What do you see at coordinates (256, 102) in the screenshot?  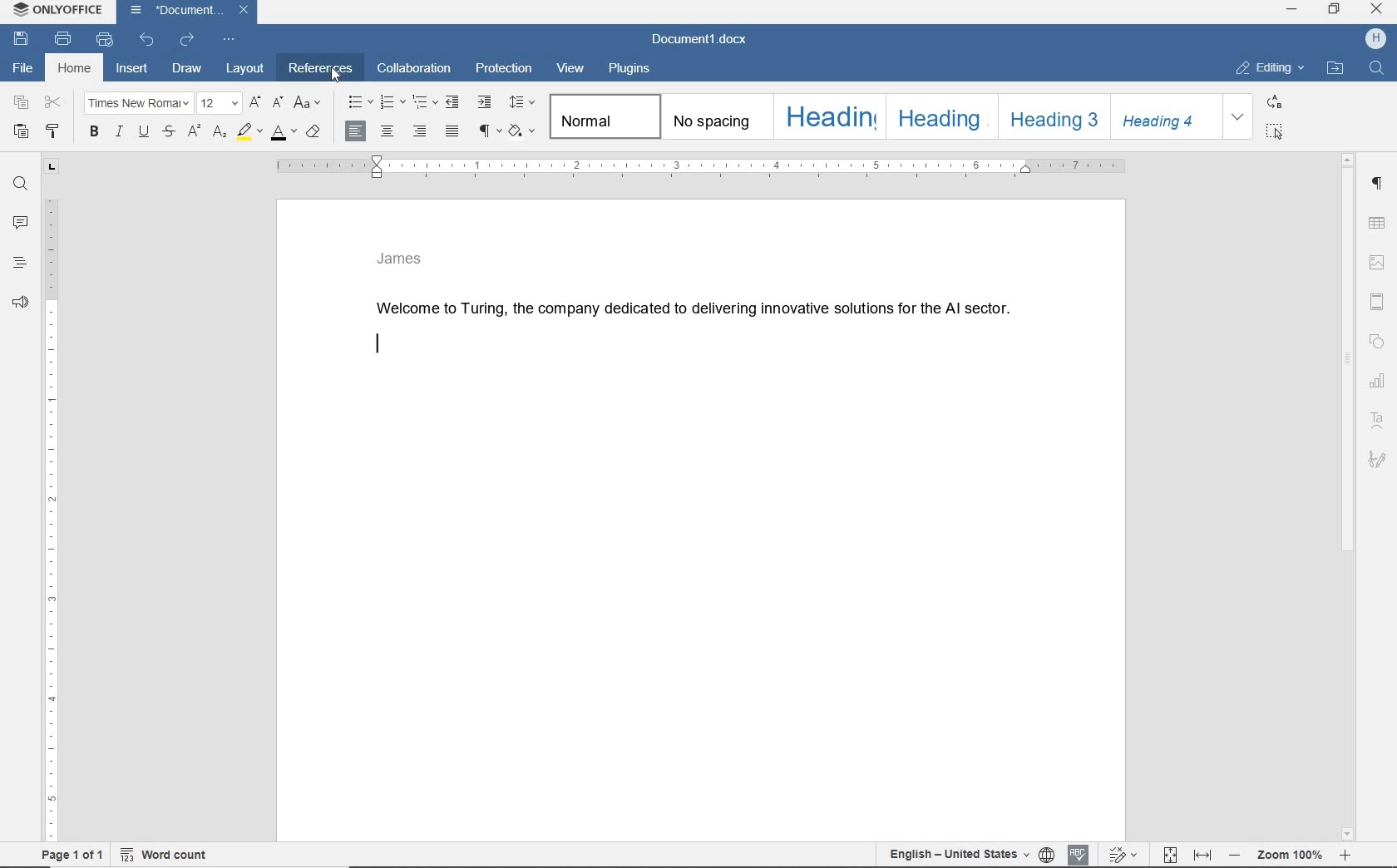 I see `increment font size` at bounding box center [256, 102].